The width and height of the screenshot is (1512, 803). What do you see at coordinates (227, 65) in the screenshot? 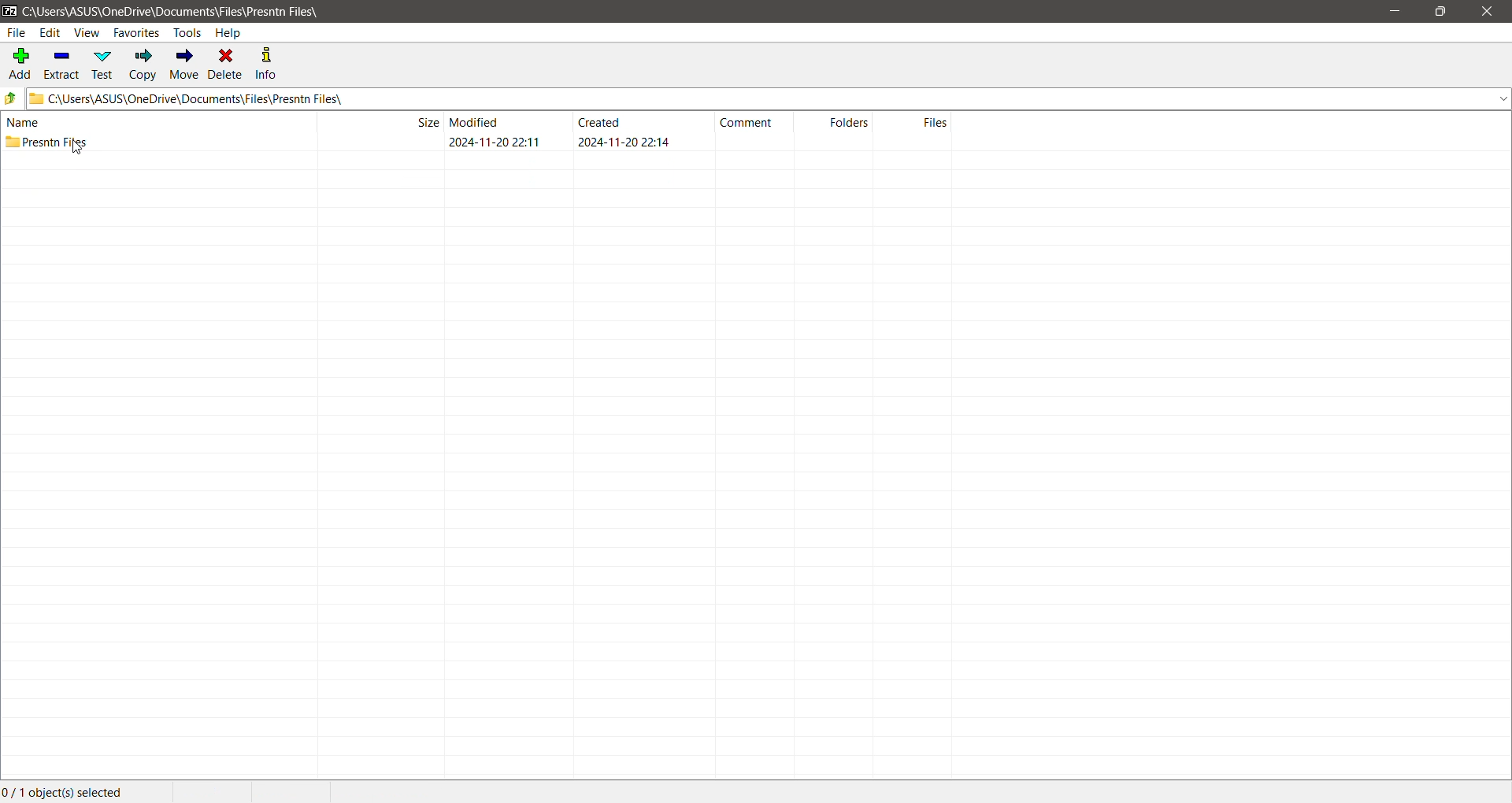
I see `Delete` at bounding box center [227, 65].